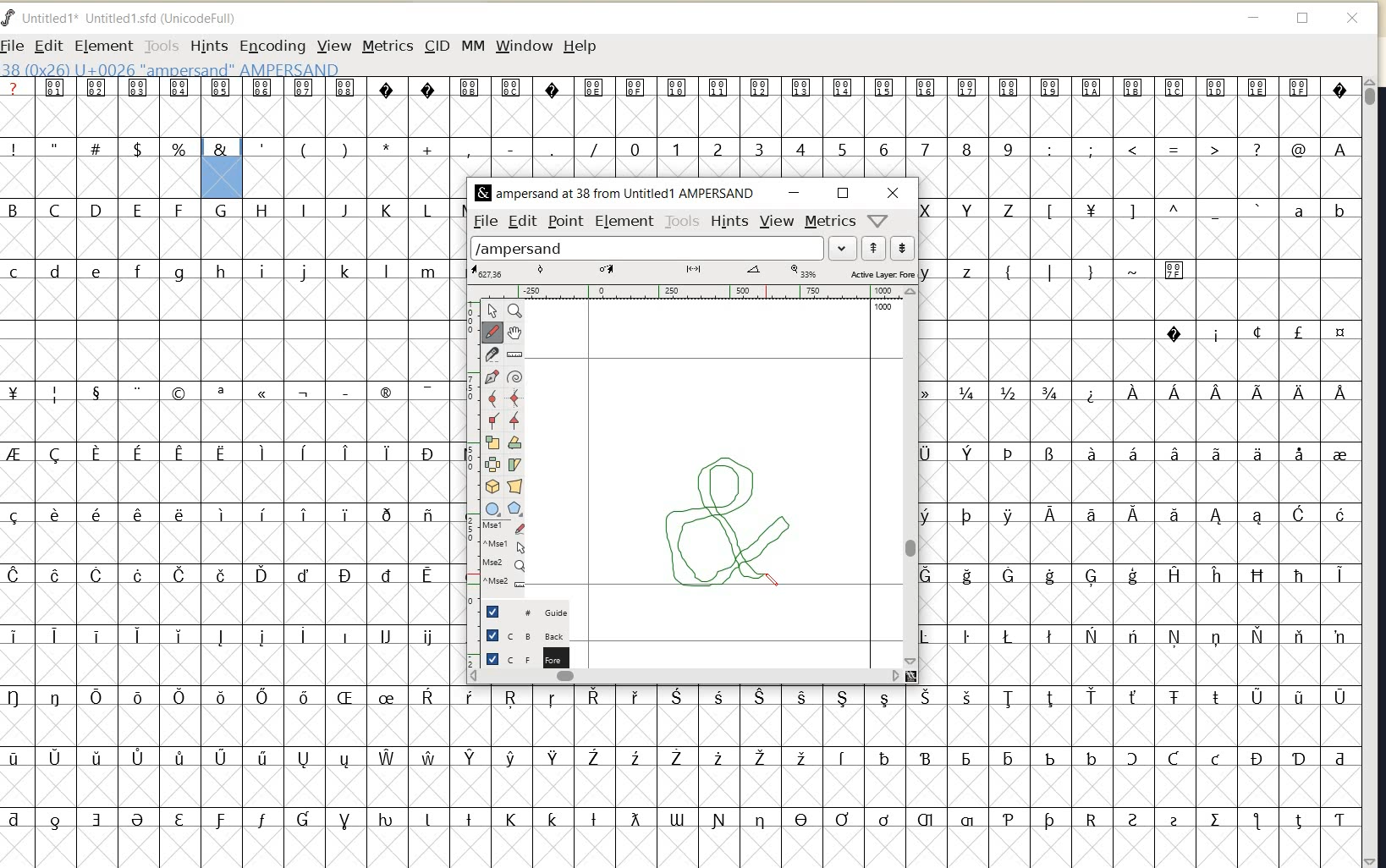 The image size is (1386, 868). What do you see at coordinates (829, 222) in the screenshot?
I see `METRICS` at bounding box center [829, 222].